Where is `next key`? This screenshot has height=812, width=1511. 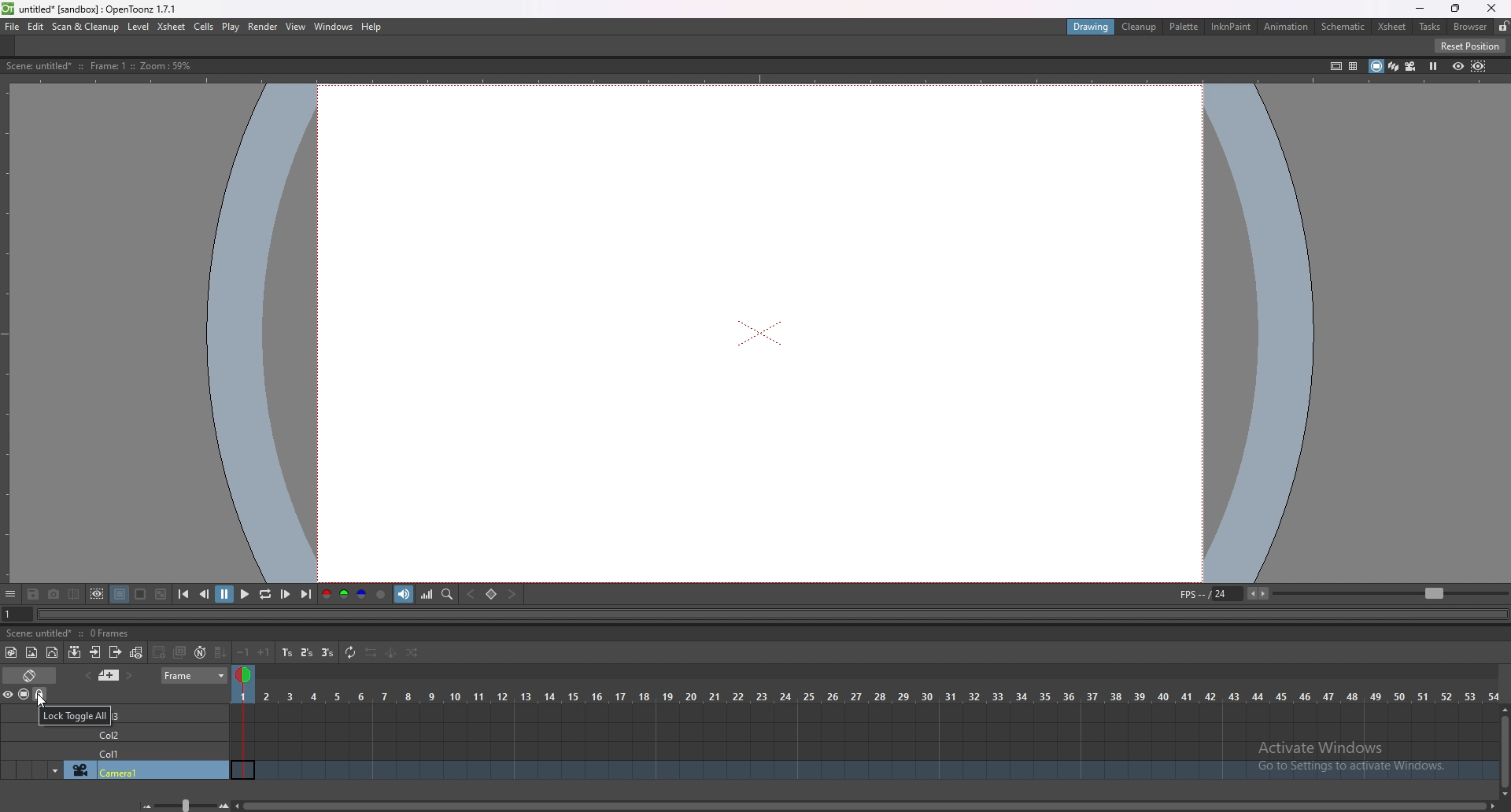
next key is located at coordinates (513, 594).